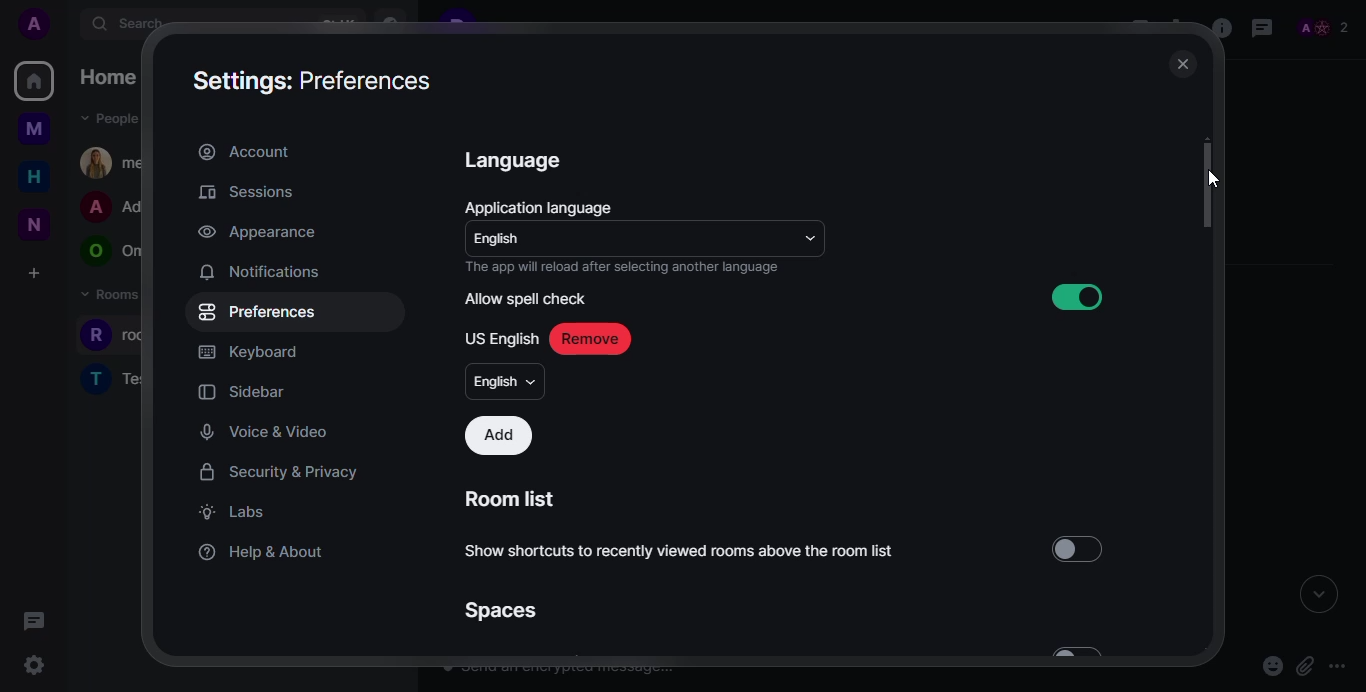 The image size is (1366, 692). What do you see at coordinates (112, 252) in the screenshot?
I see `people room` at bounding box center [112, 252].